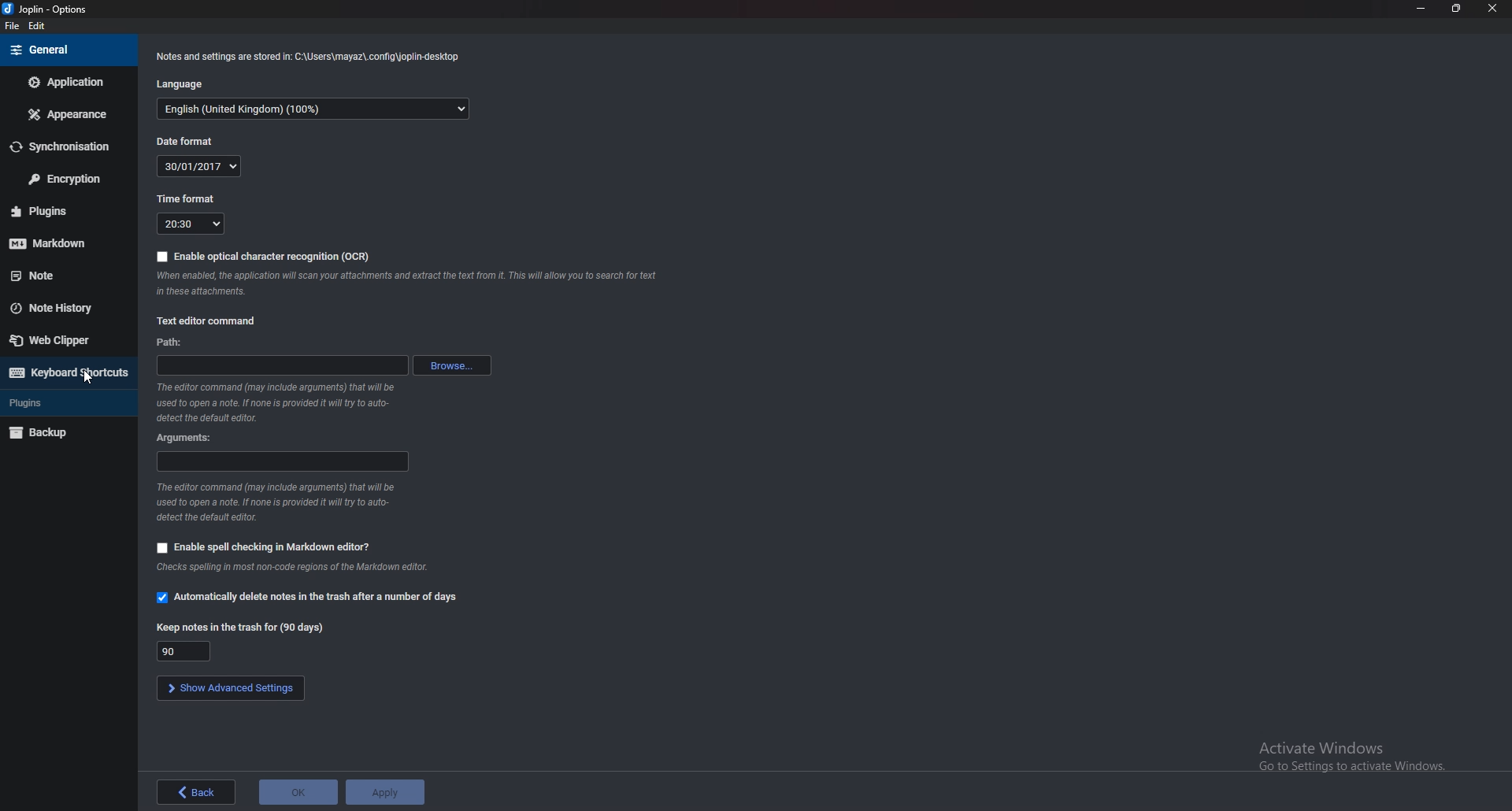 This screenshot has width=1512, height=811. I want to click on Application, so click(65, 82).